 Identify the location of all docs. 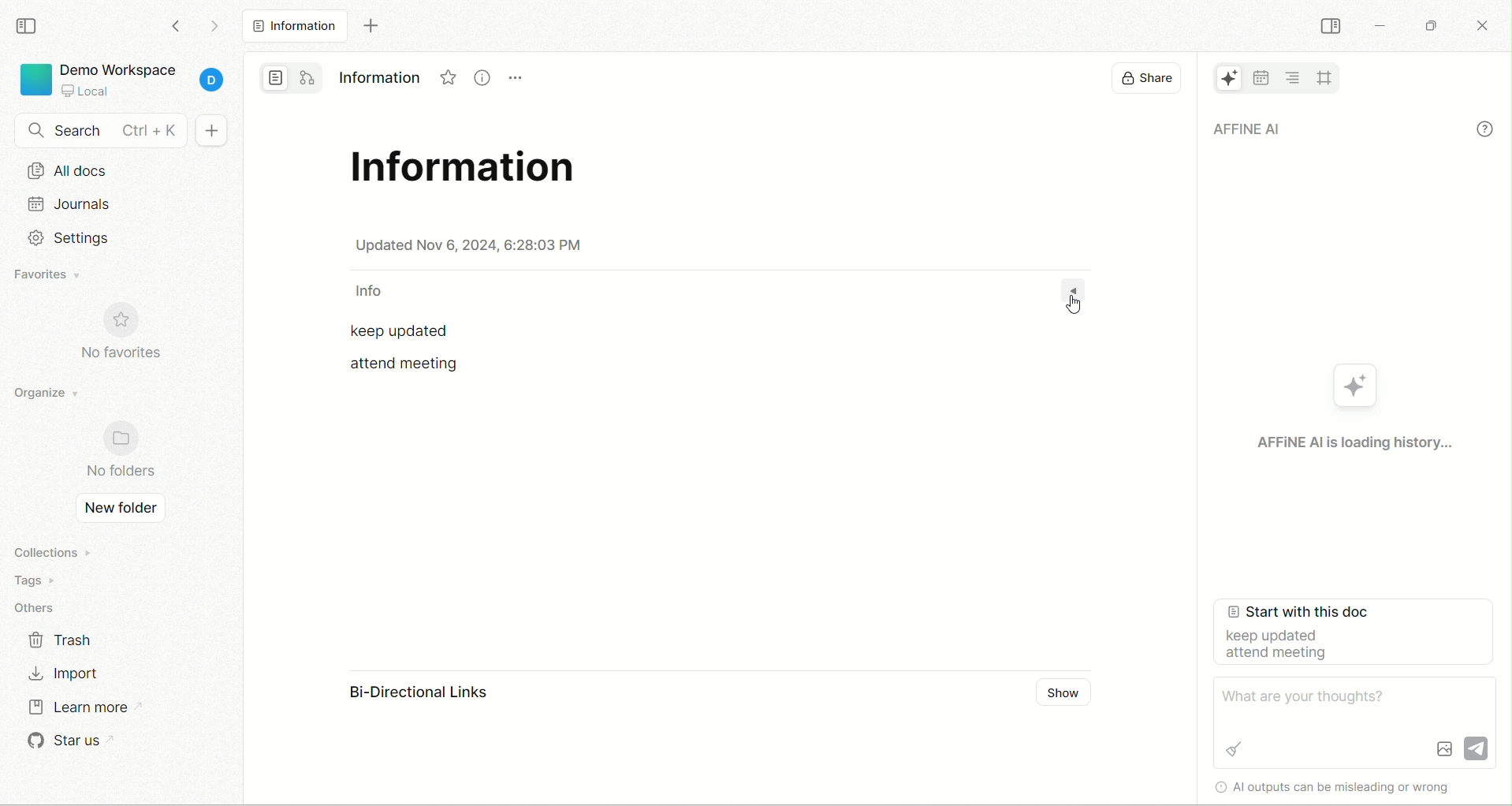
(120, 174).